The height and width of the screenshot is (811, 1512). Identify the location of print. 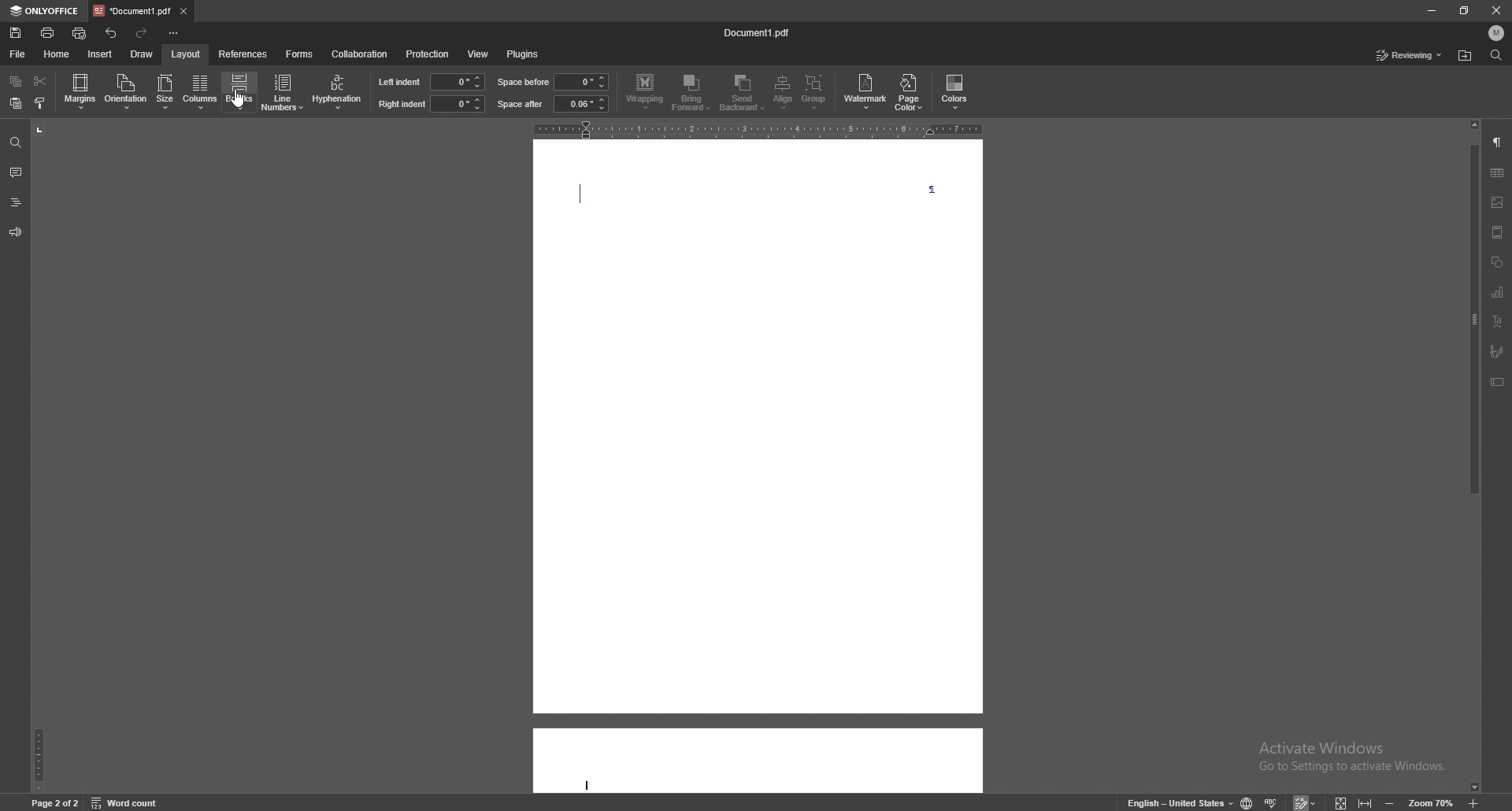
(49, 32).